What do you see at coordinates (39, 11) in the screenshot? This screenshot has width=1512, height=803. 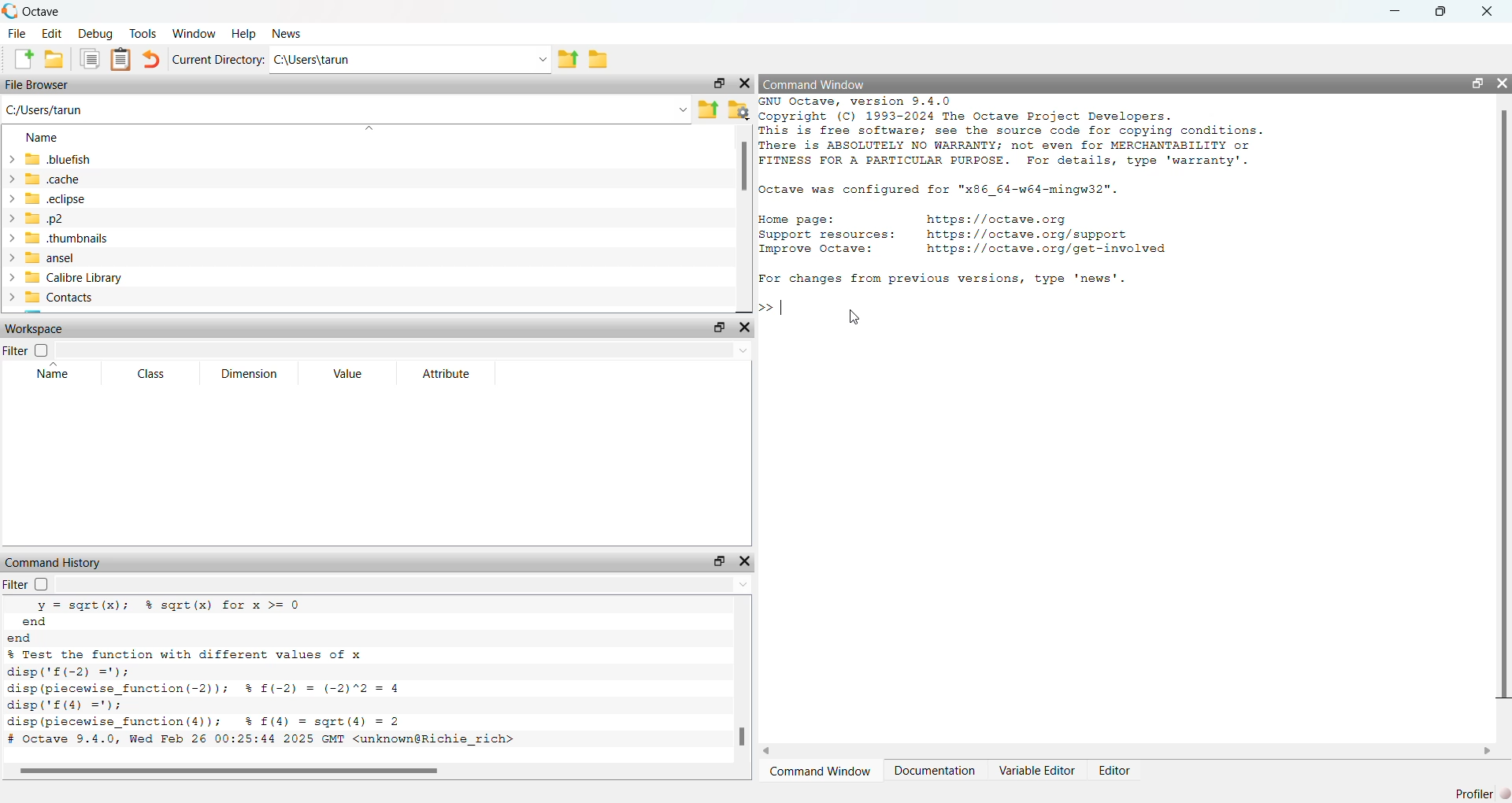 I see `Octave` at bounding box center [39, 11].